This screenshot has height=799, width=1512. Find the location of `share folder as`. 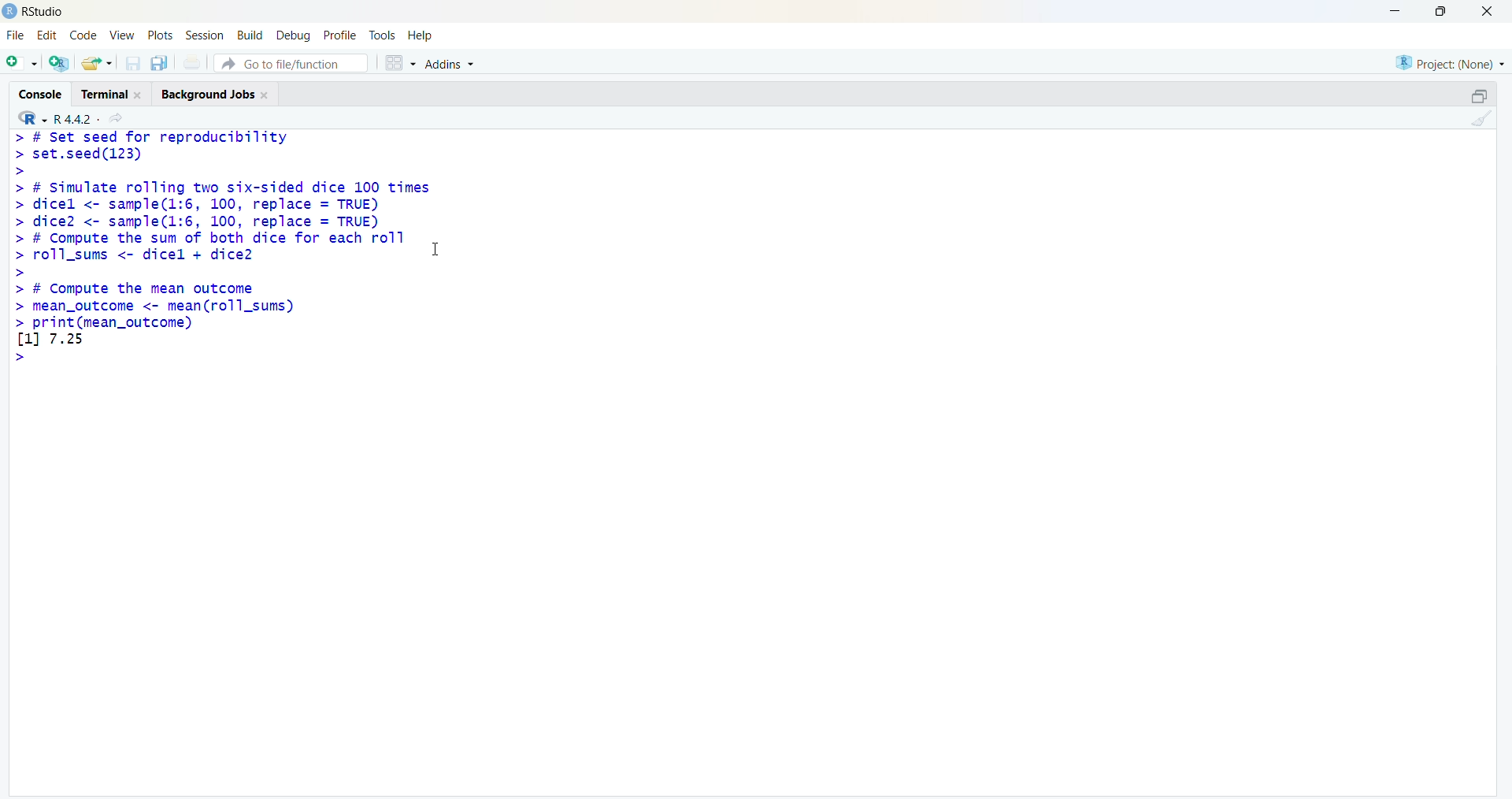

share folder as is located at coordinates (96, 63).